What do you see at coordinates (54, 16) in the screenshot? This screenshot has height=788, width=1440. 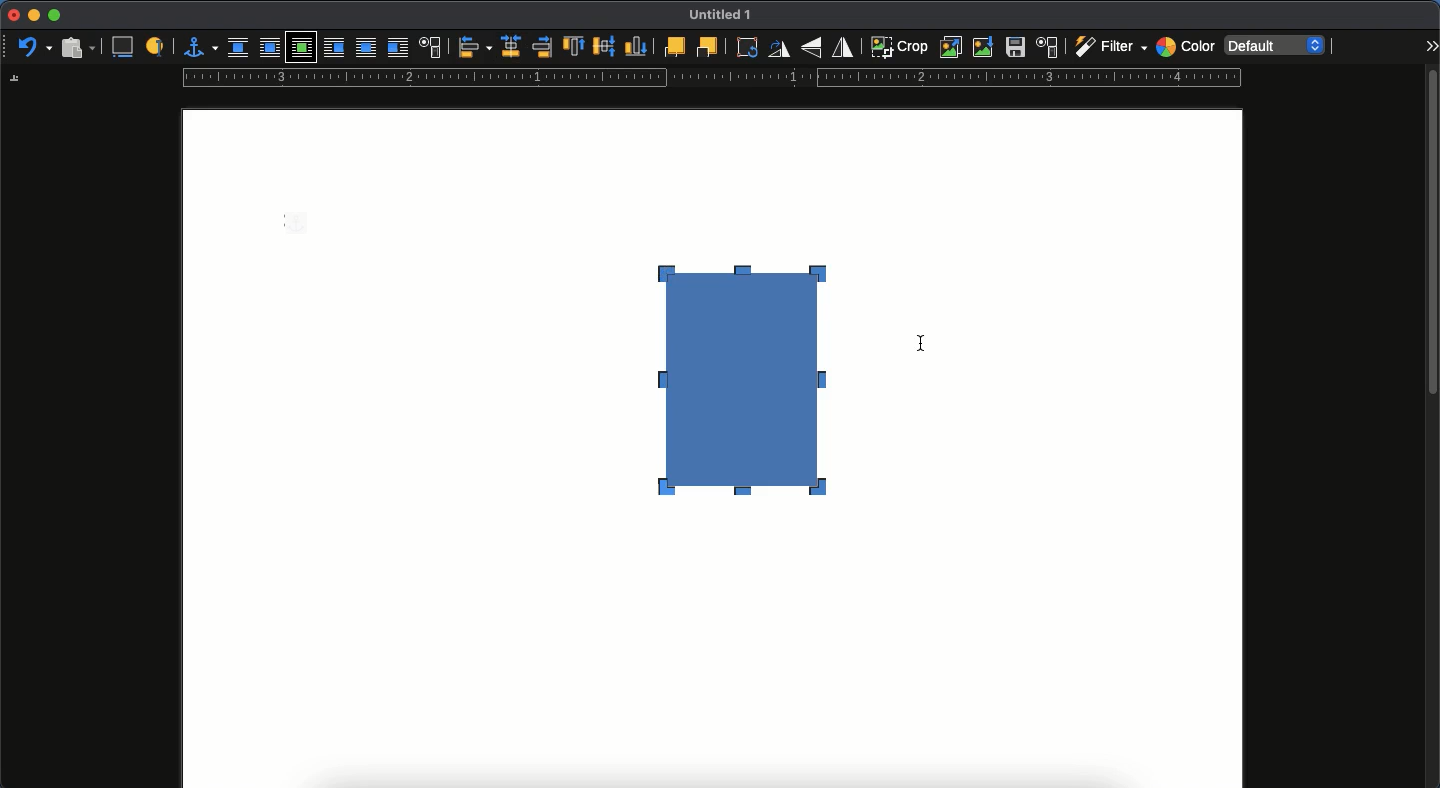 I see `maximize` at bounding box center [54, 16].